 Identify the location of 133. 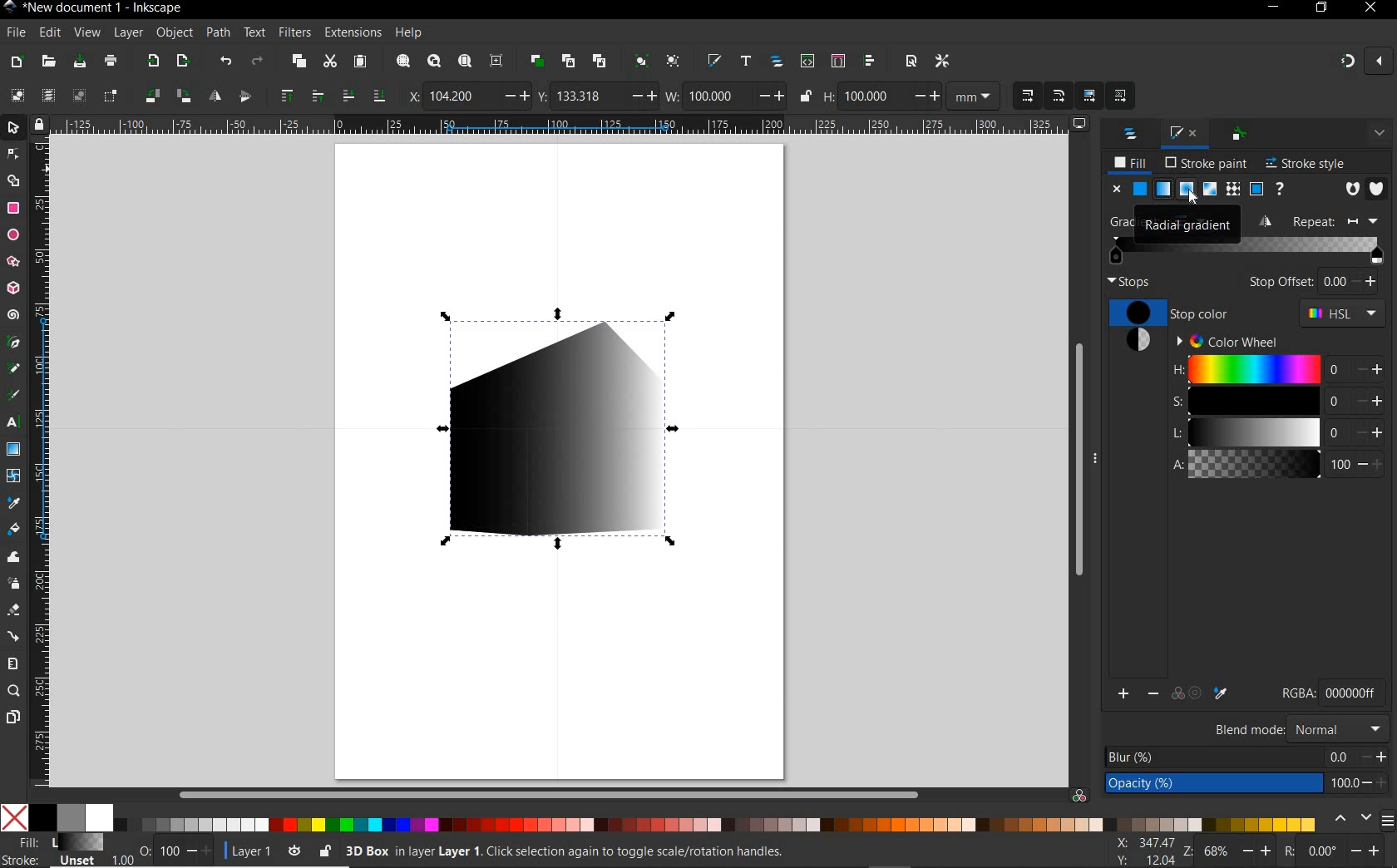
(588, 96).